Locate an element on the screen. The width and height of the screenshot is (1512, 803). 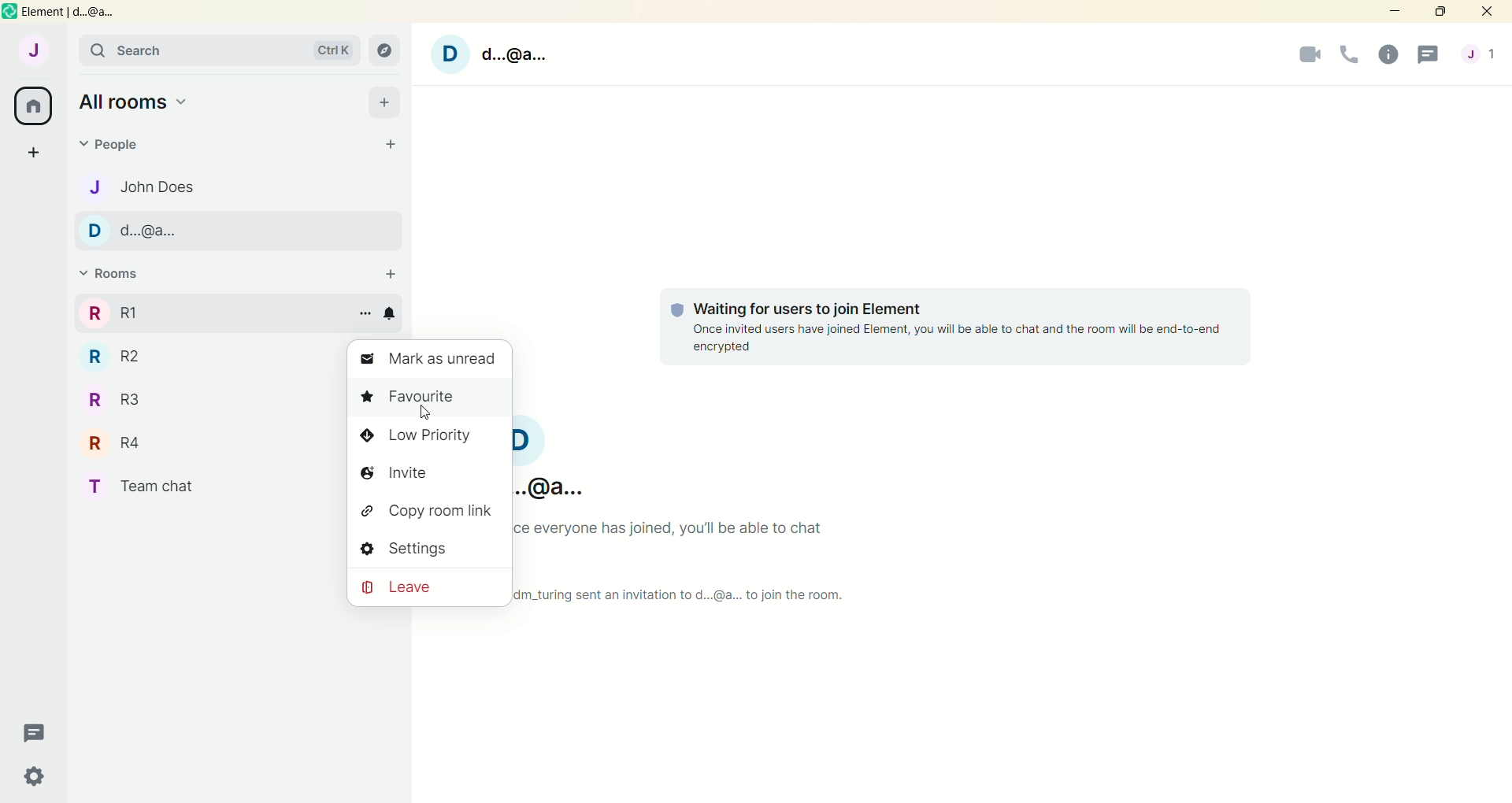
& Mark as unread is located at coordinates (428, 355).